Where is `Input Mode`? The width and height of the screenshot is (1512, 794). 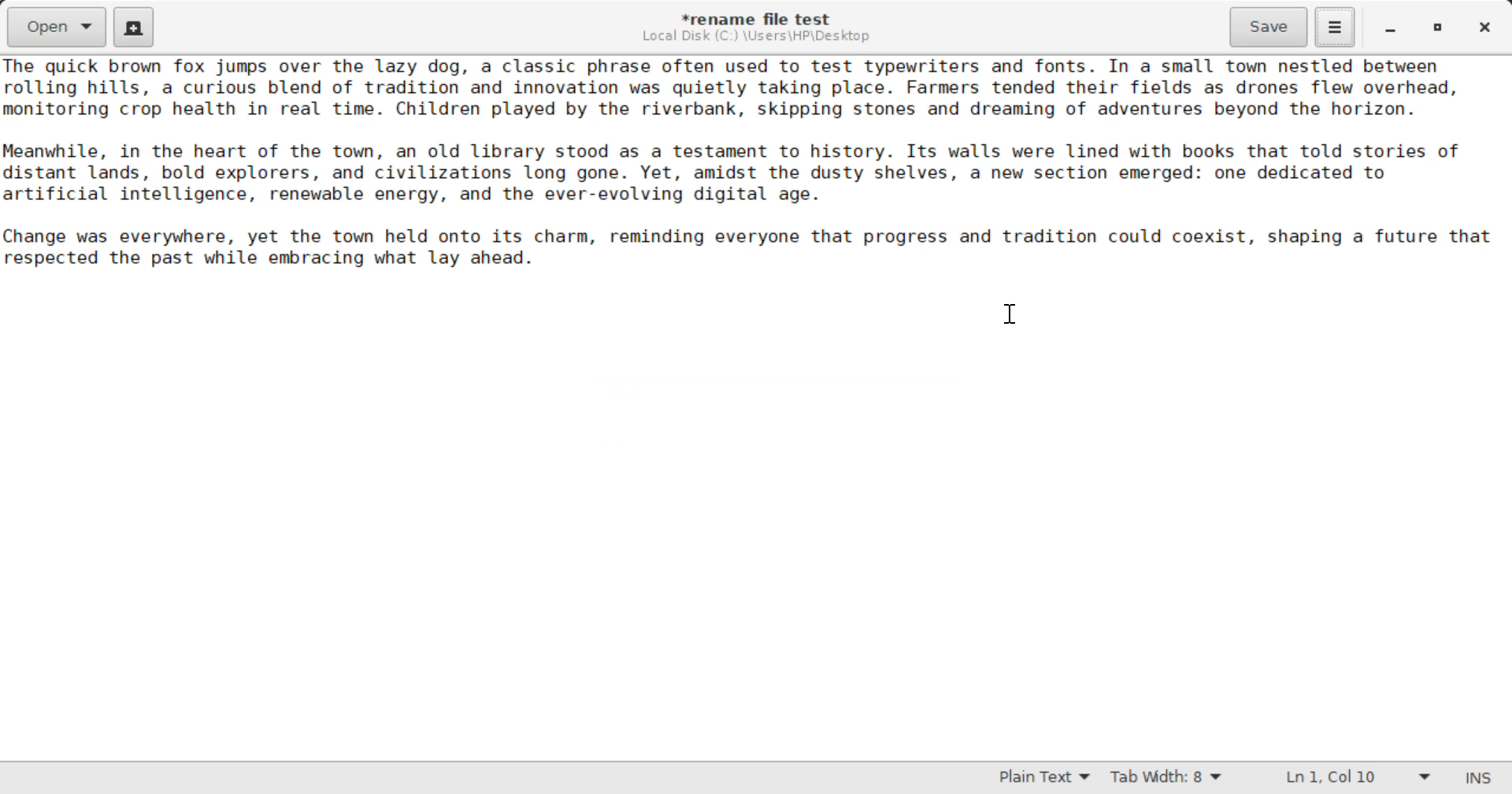
Input Mode is located at coordinates (1482, 776).